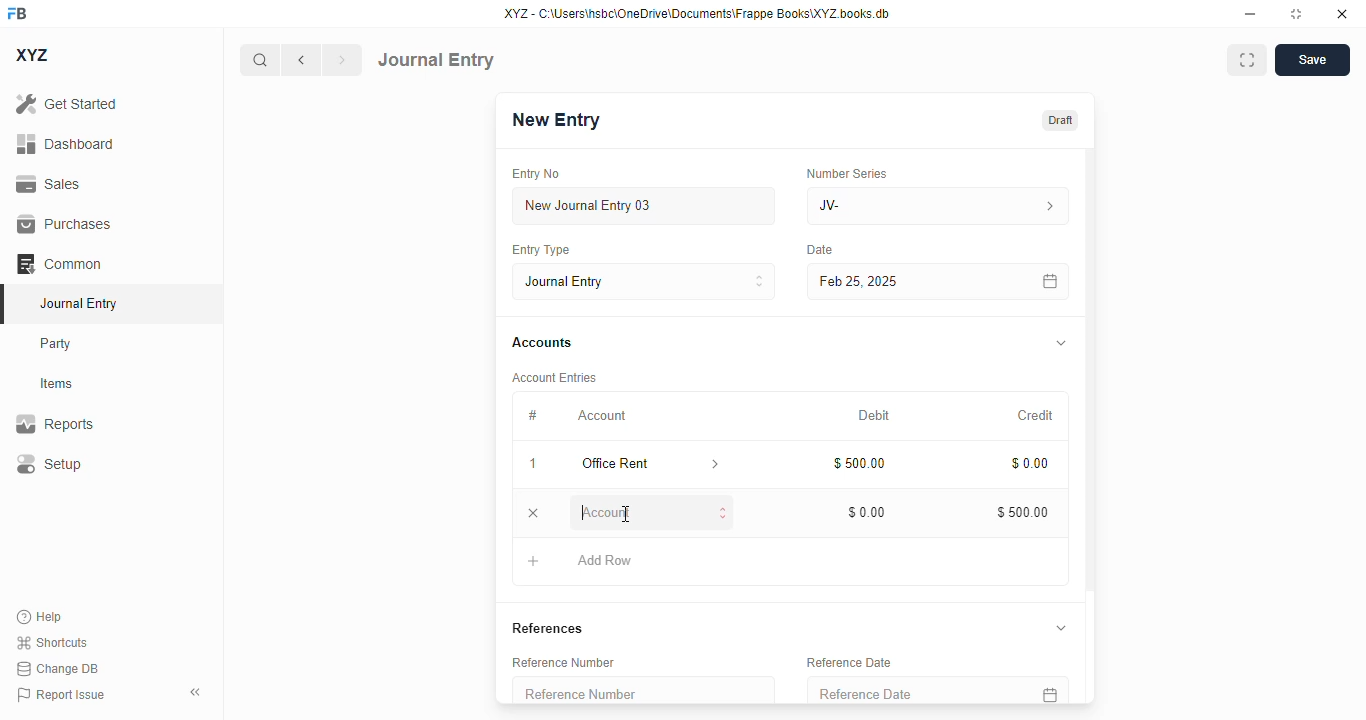  Describe the element at coordinates (197, 692) in the screenshot. I see `toggle sidebar` at that location.